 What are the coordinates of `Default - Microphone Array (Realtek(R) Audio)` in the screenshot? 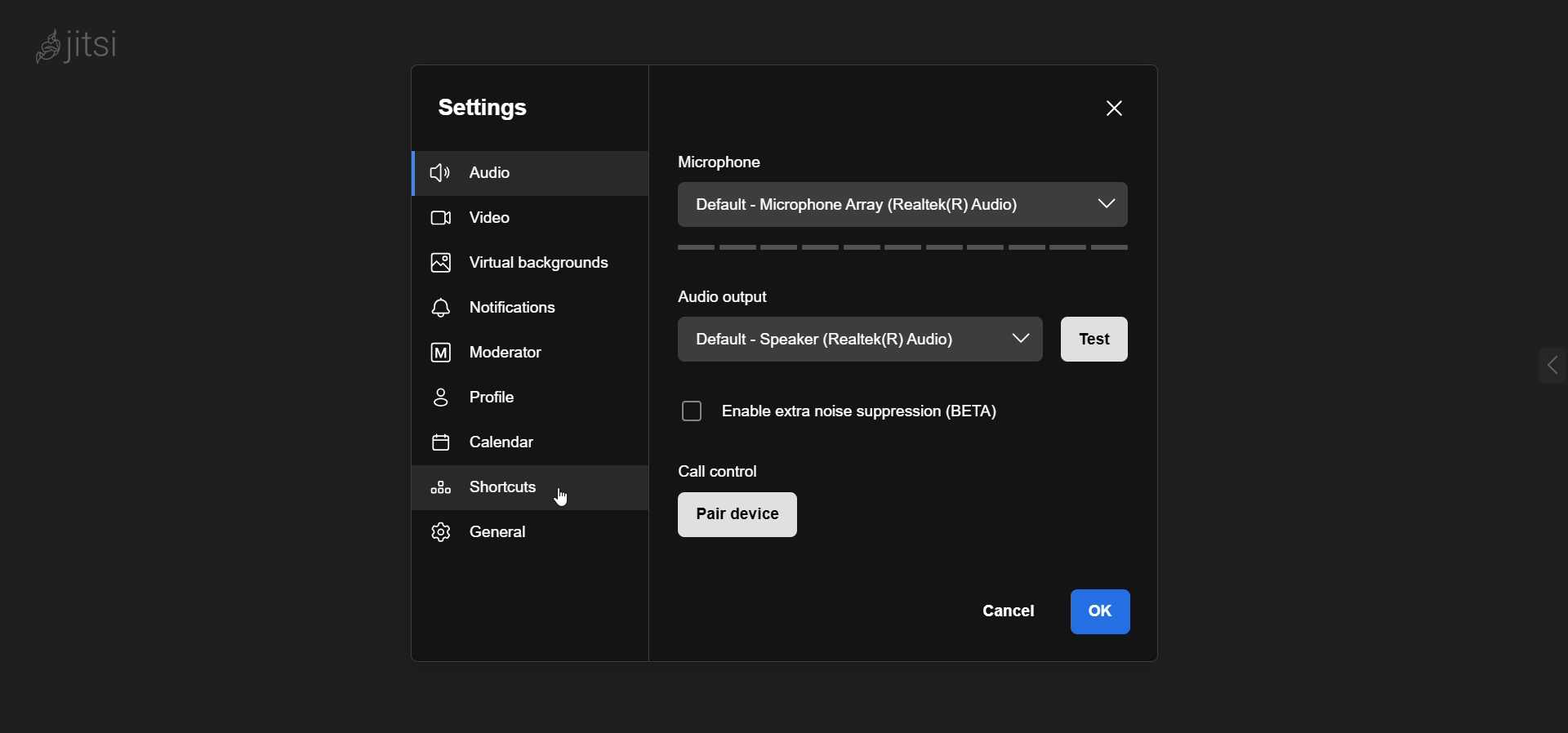 It's located at (865, 206).